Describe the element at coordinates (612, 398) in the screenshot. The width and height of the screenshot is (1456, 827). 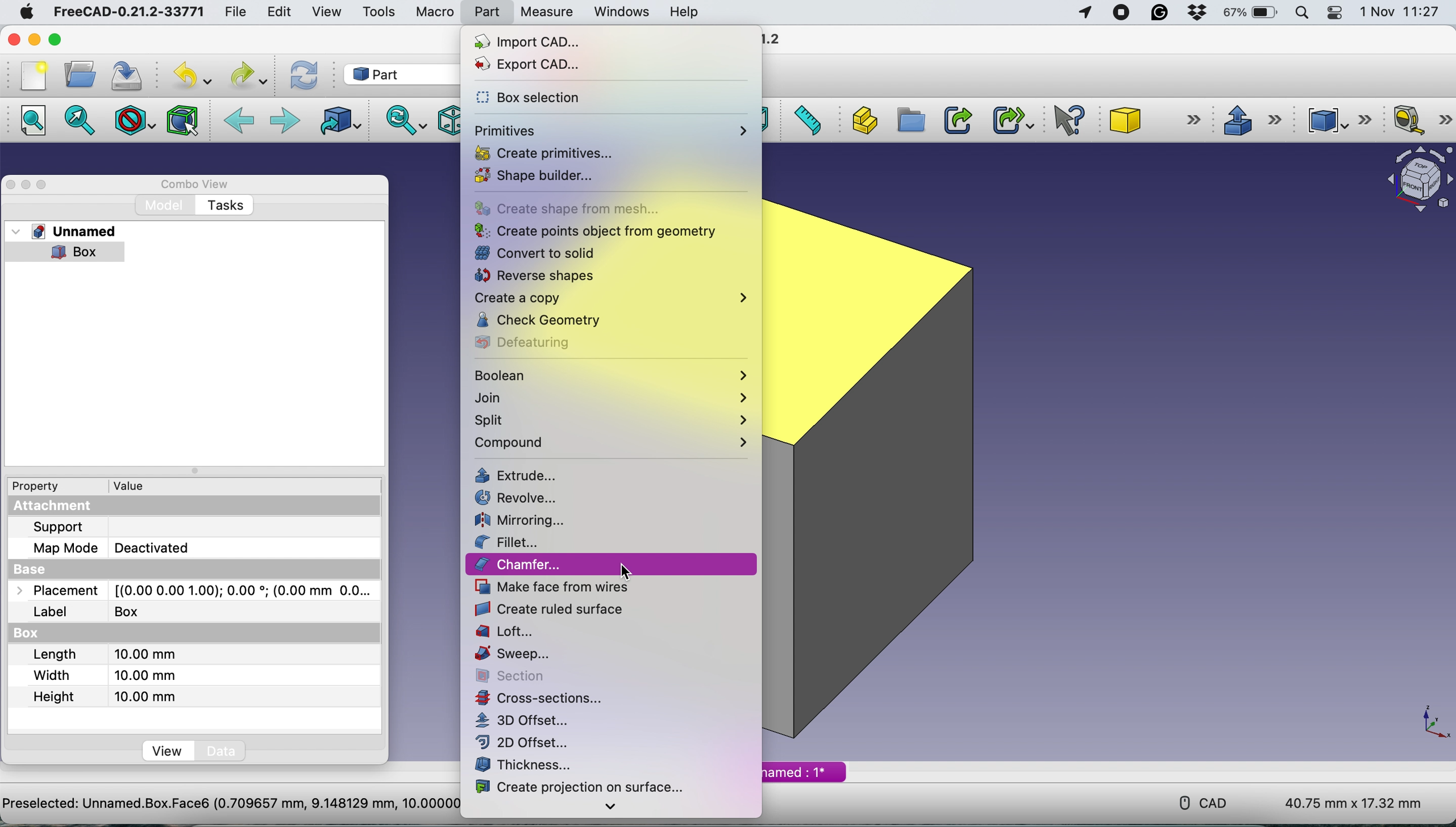
I see `join` at that location.